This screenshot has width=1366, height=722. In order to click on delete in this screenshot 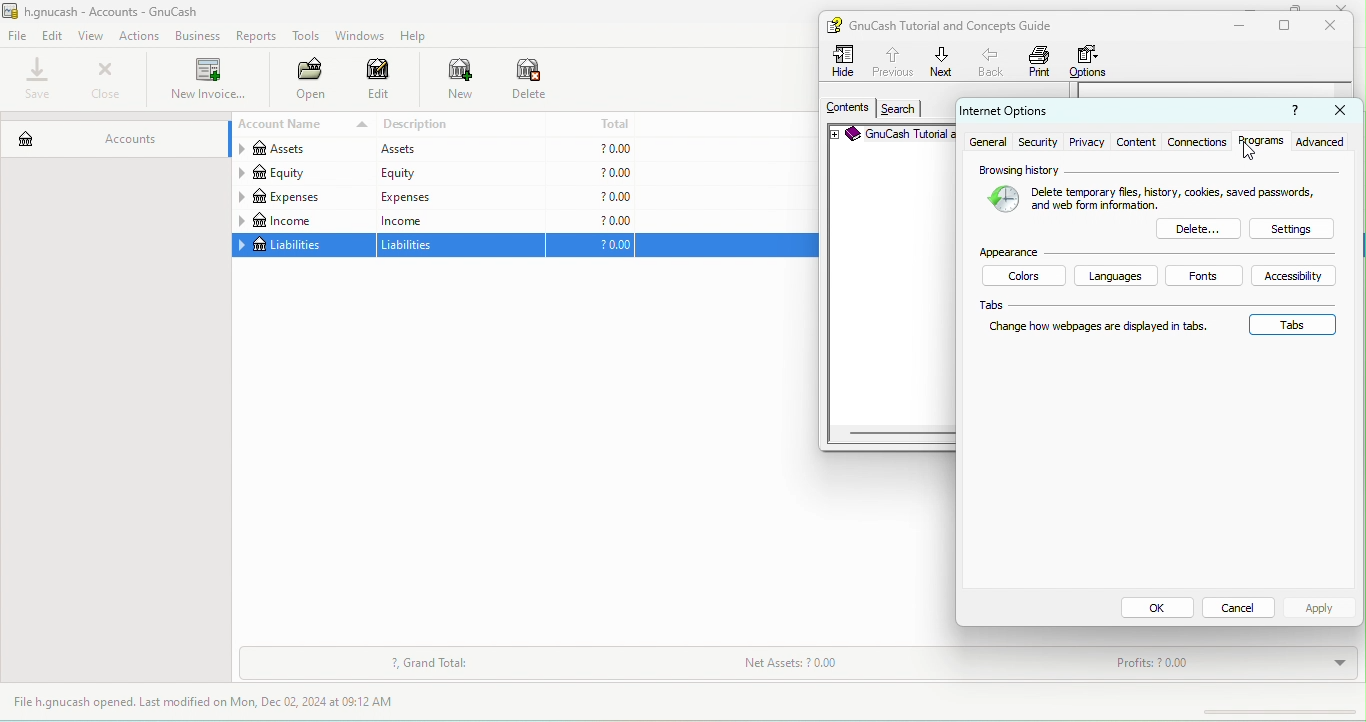, I will do `click(531, 81)`.